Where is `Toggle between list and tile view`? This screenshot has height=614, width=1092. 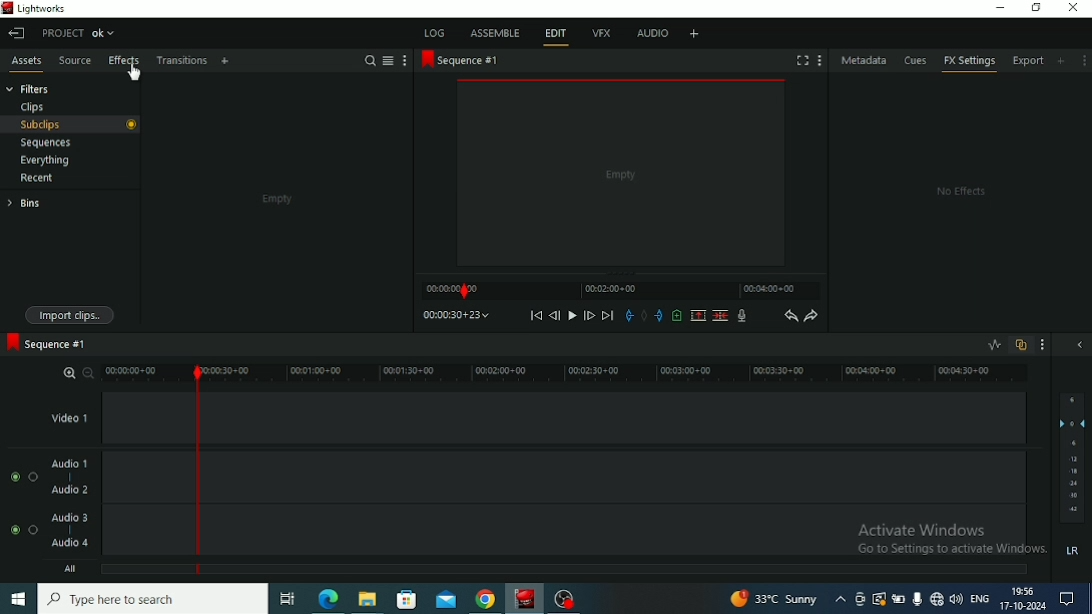 Toggle between list and tile view is located at coordinates (389, 61).